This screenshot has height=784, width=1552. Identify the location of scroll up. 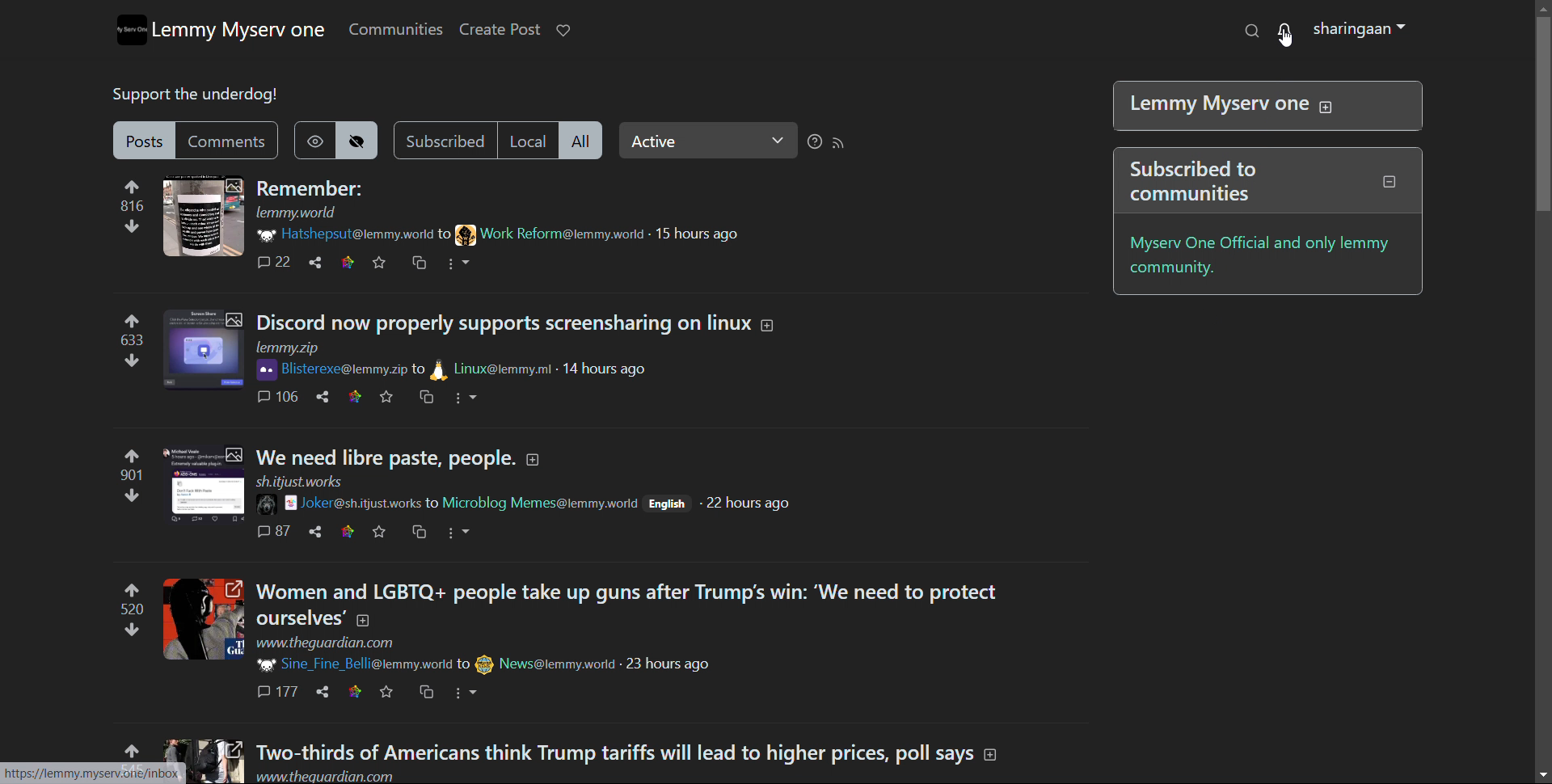
(1542, 6).